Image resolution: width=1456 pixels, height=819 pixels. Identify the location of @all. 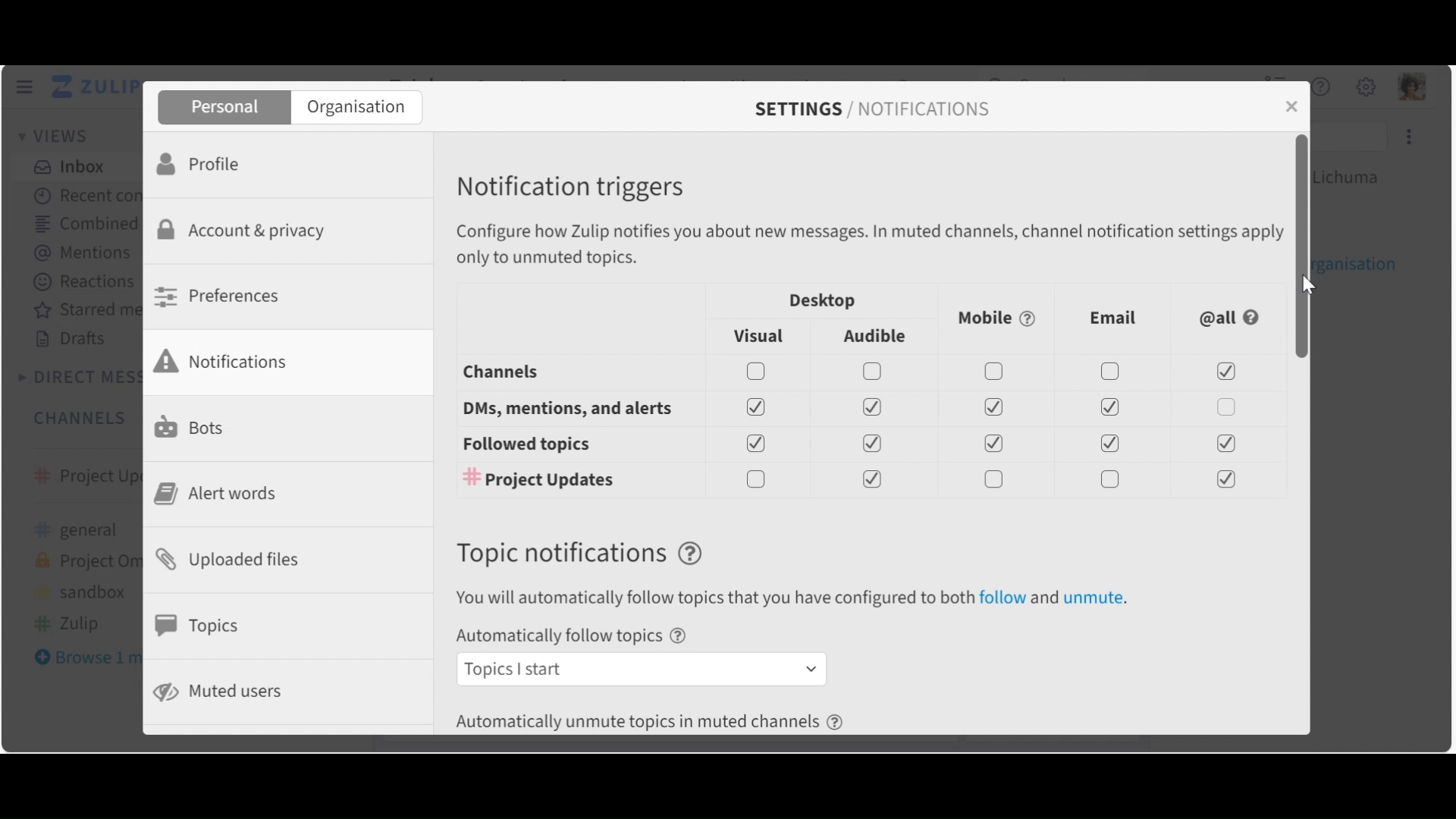
(1230, 316).